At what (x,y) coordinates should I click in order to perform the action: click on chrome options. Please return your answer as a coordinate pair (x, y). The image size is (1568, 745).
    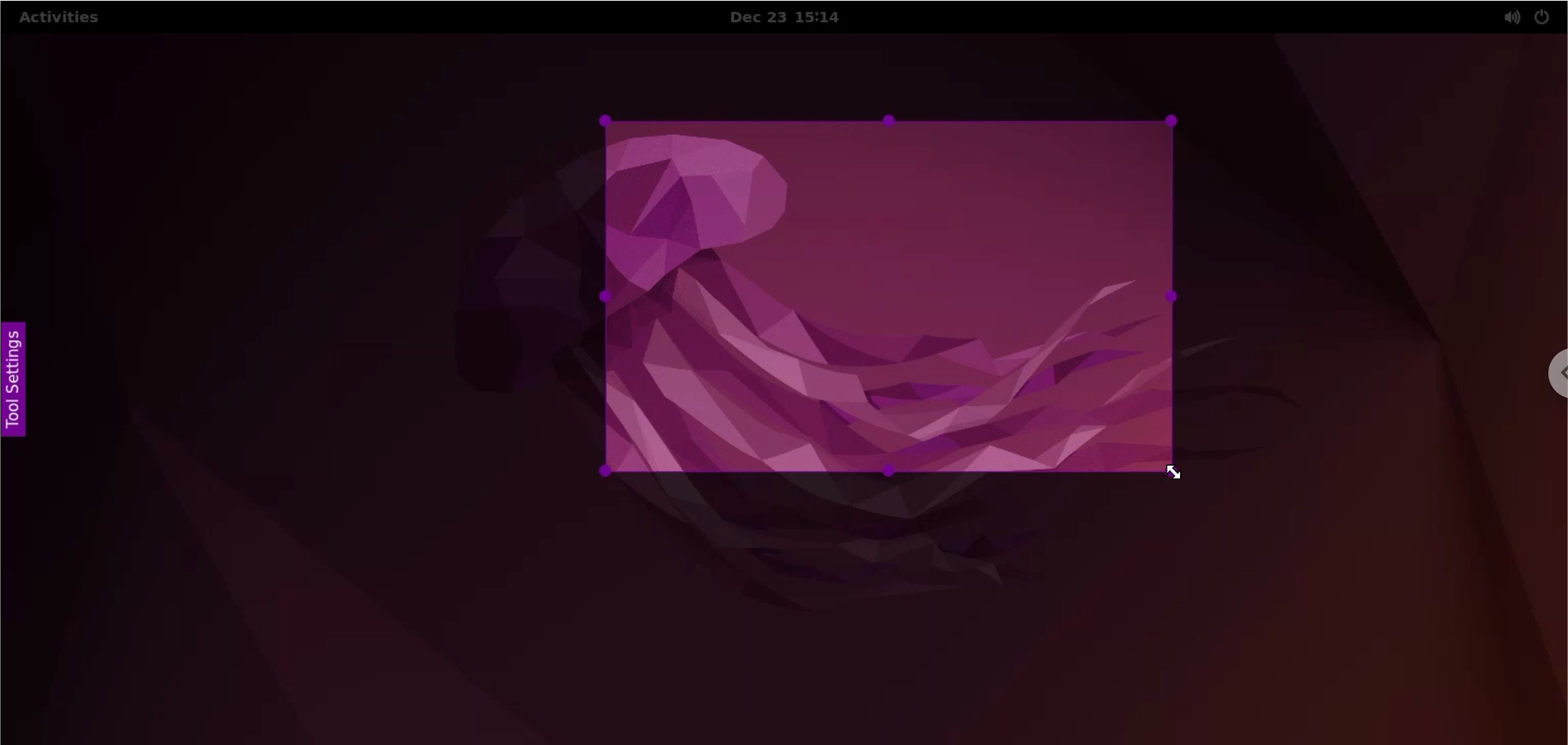
    Looking at the image, I should click on (1545, 372).